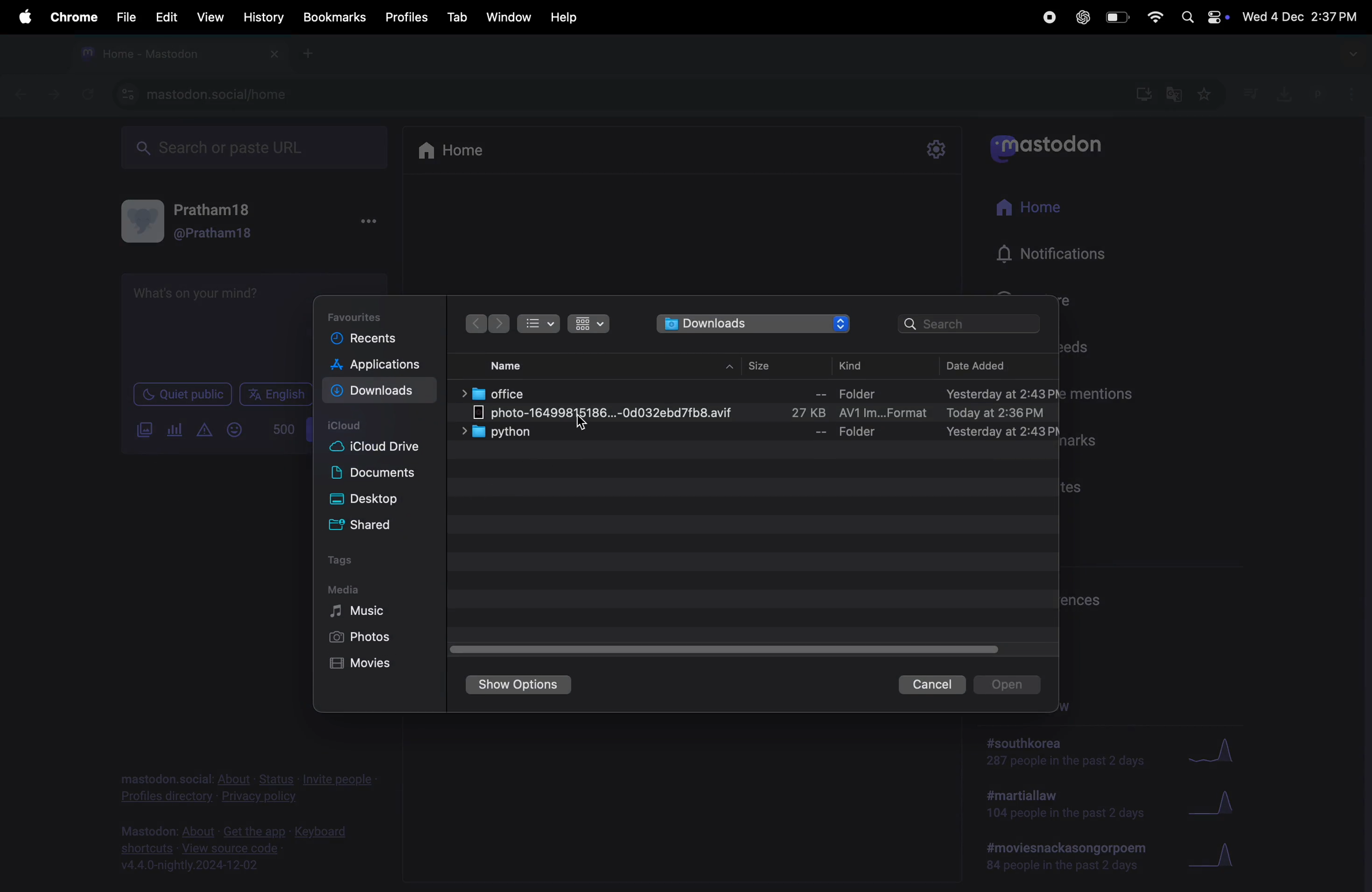 The image size is (1372, 892). Describe the element at coordinates (203, 430) in the screenshot. I see `alerts` at that location.